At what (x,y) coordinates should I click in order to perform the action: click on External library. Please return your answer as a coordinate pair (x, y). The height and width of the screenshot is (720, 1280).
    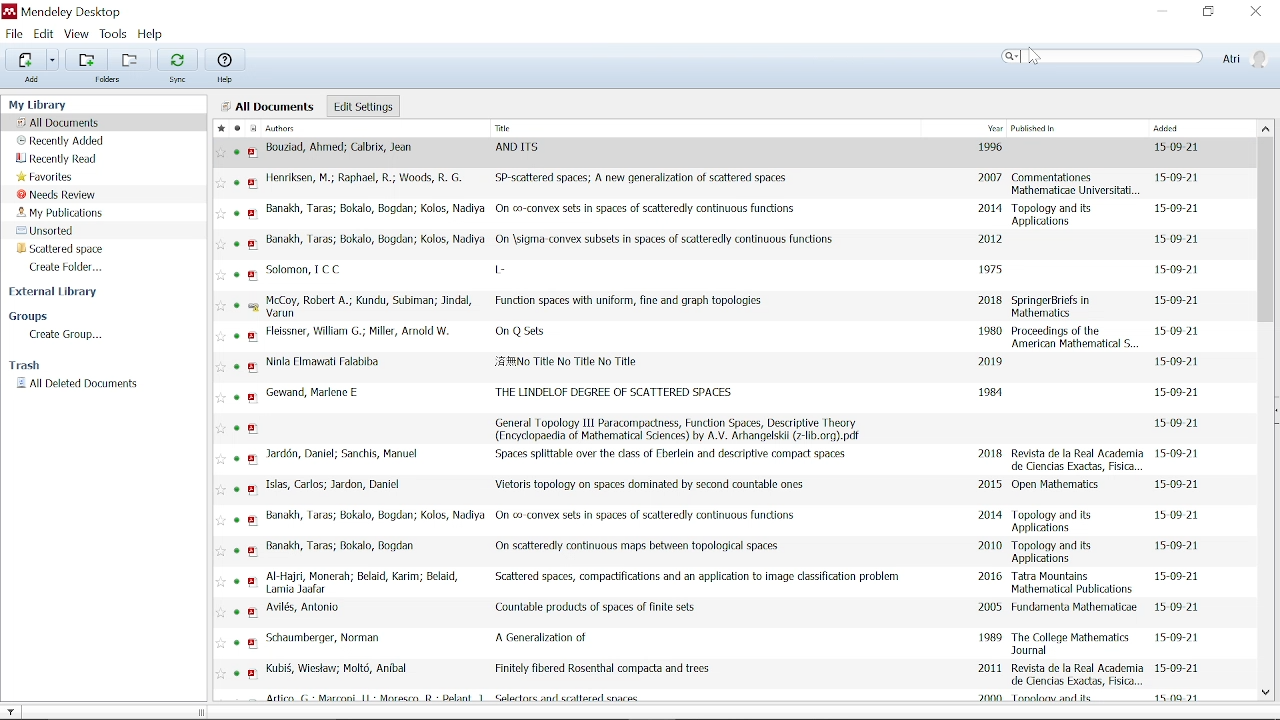
    Looking at the image, I should click on (65, 293).